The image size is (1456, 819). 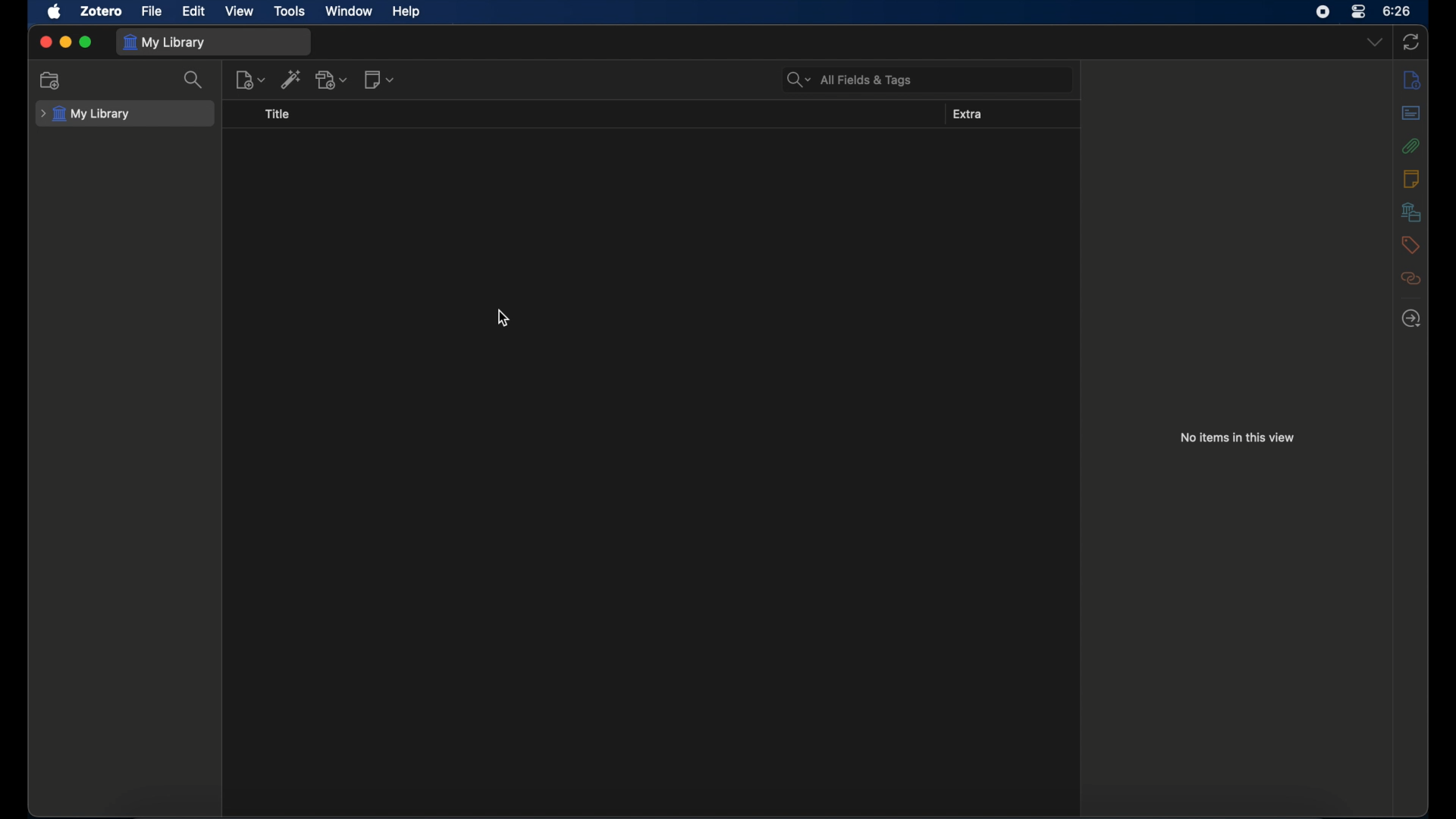 I want to click on zotero, so click(x=102, y=11).